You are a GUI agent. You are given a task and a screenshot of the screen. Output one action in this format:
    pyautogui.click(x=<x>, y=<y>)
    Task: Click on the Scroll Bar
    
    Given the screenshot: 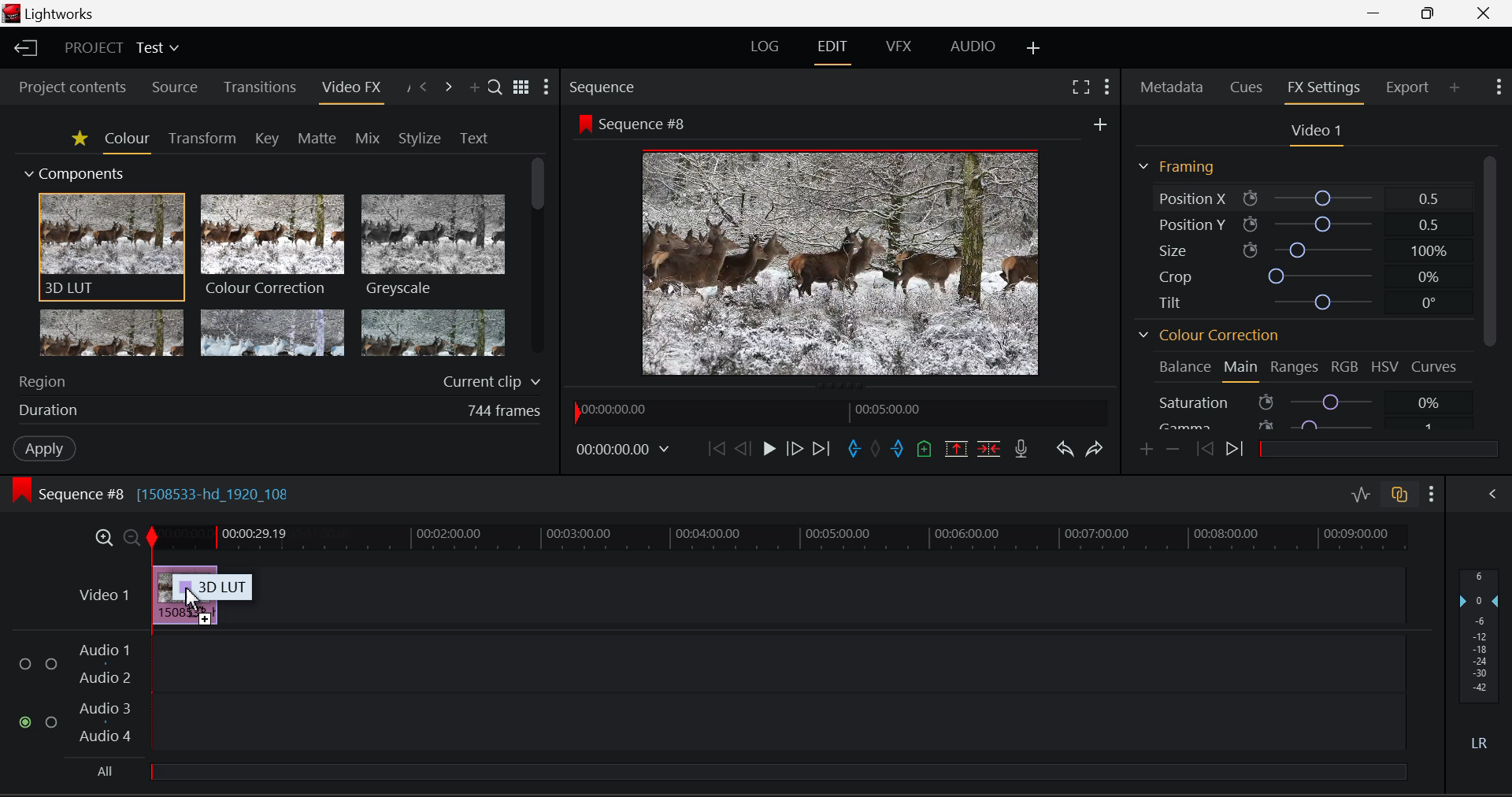 What is the action you would take?
    pyautogui.click(x=535, y=259)
    